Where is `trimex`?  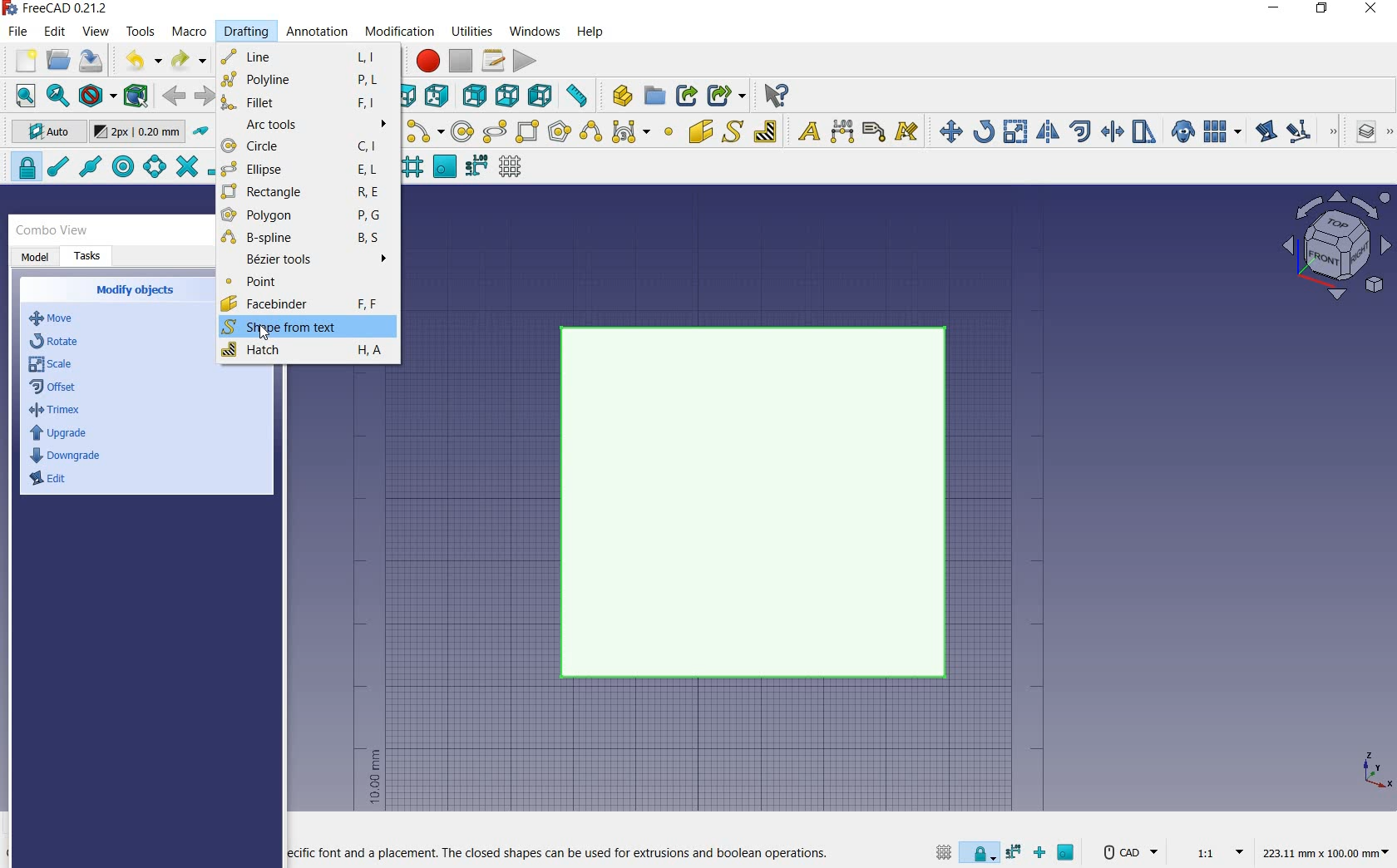
trimex is located at coordinates (1111, 133).